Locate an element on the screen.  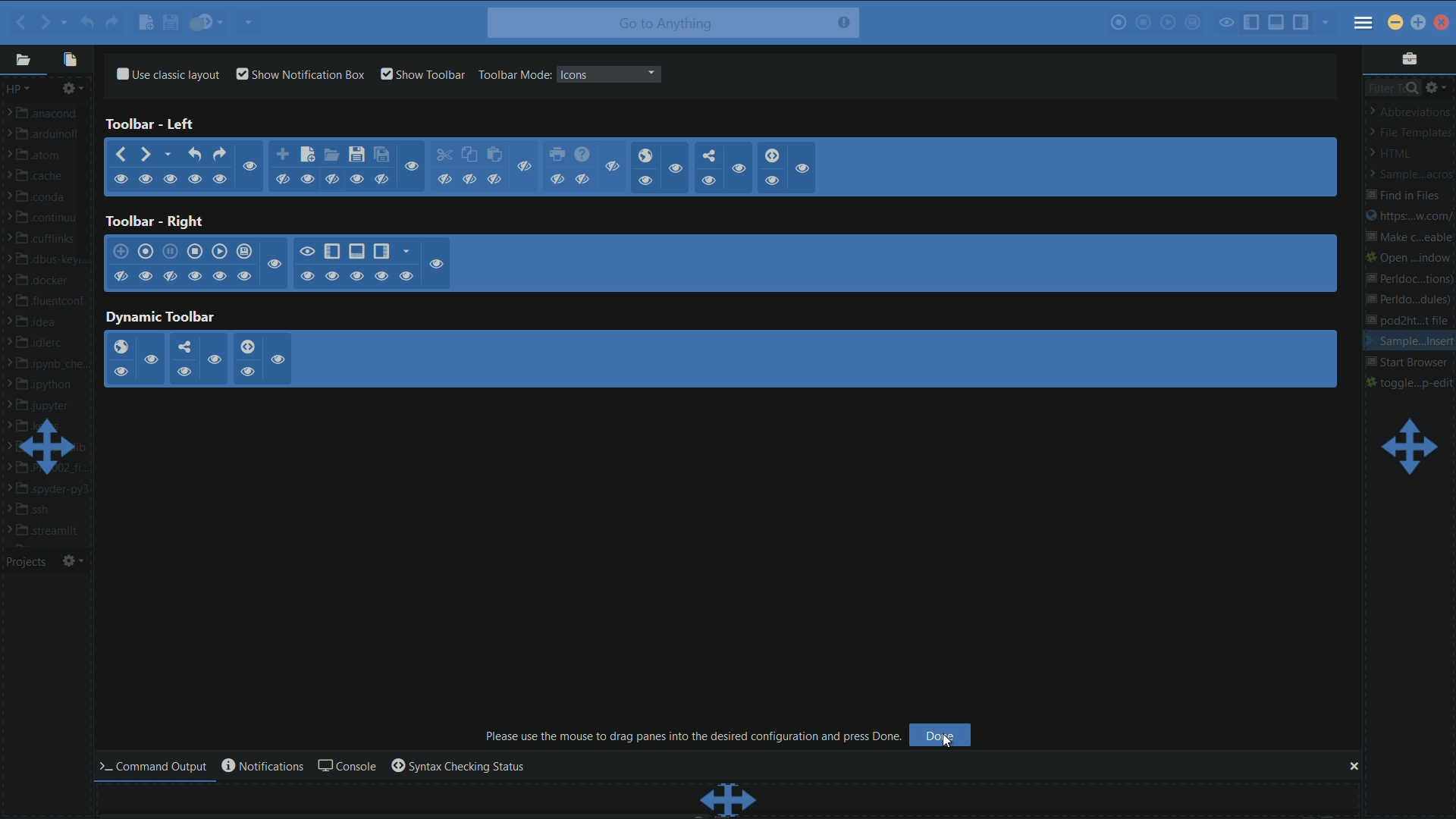
.jupyter is located at coordinates (47, 406).